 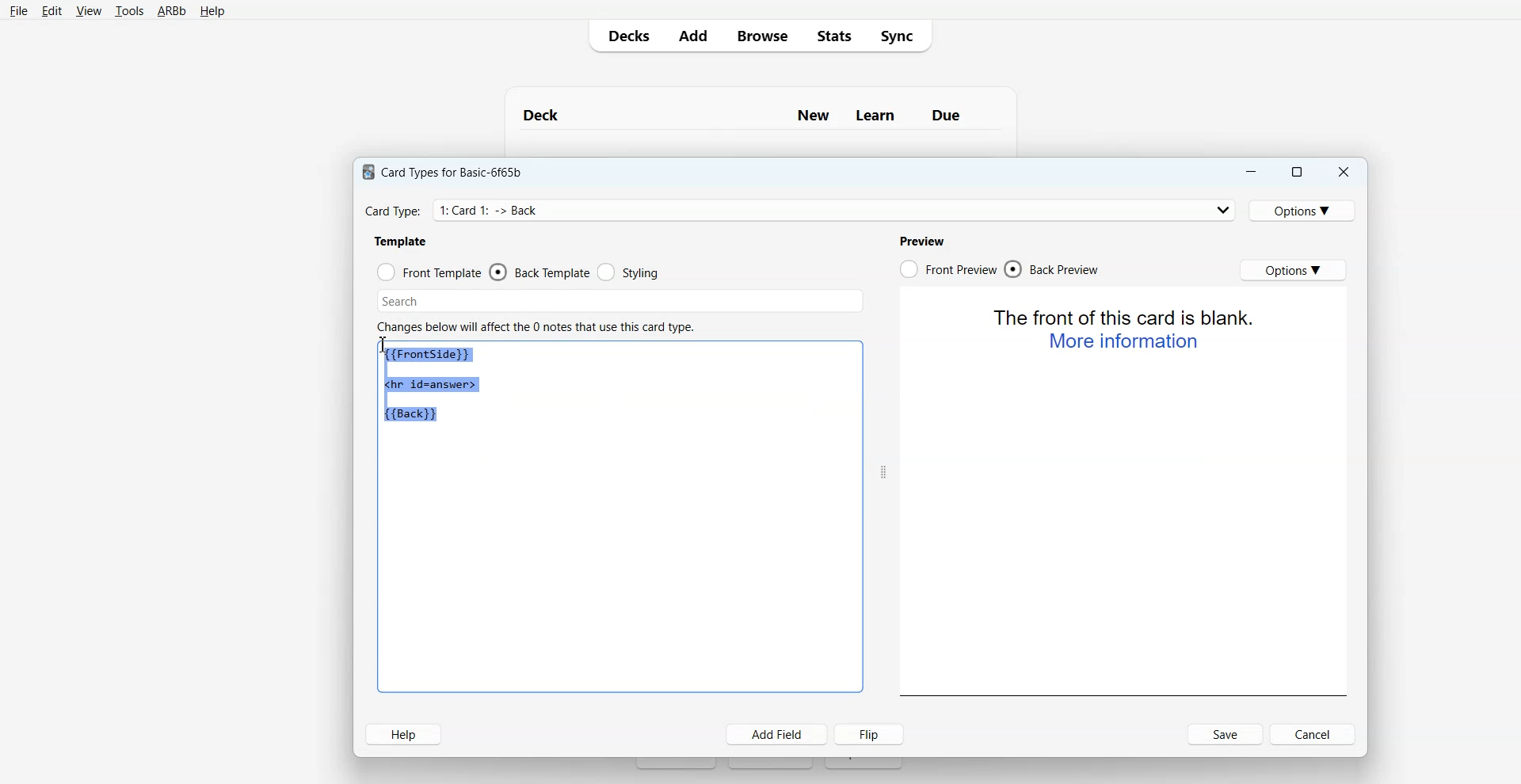 I want to click on Flip, so click(x=871, y=734).